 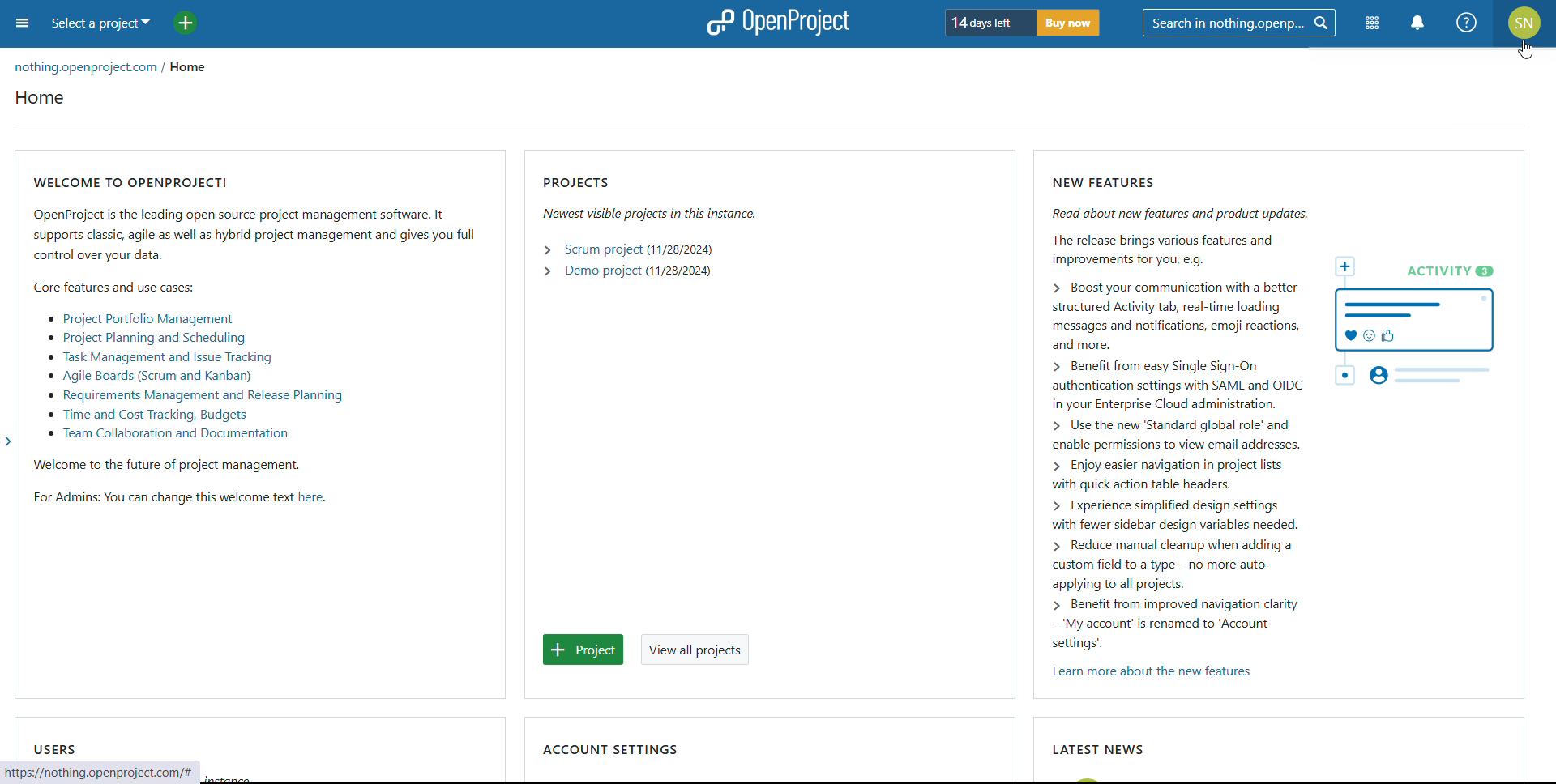 I want to click on logo, so click(x=776, y=23).